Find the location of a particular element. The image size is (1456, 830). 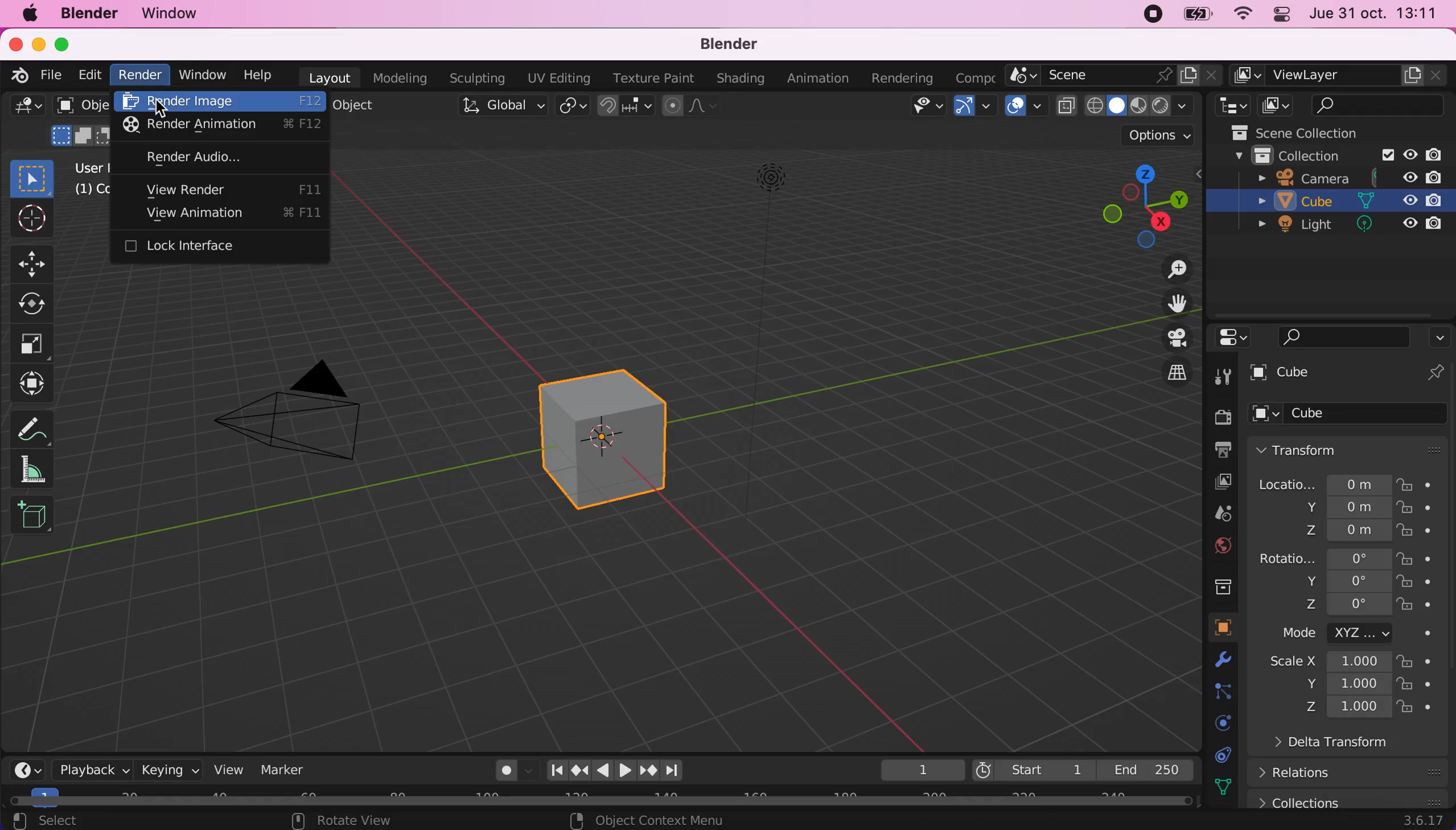

data is located at coordinates (1227, 755).